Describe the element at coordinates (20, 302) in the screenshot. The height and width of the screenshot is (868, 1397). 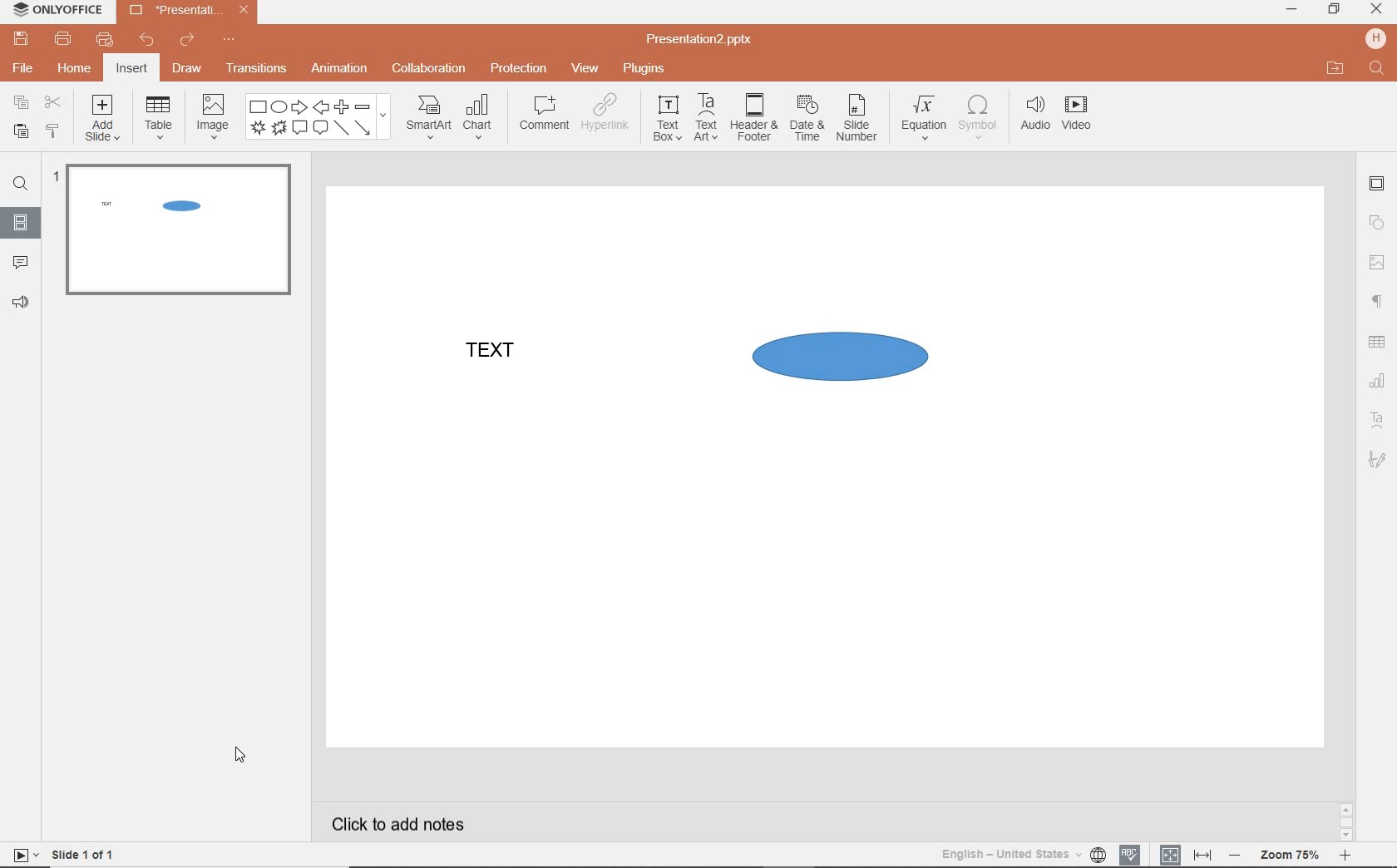
I see `FEEDBACK & SUPPORT` at that location.